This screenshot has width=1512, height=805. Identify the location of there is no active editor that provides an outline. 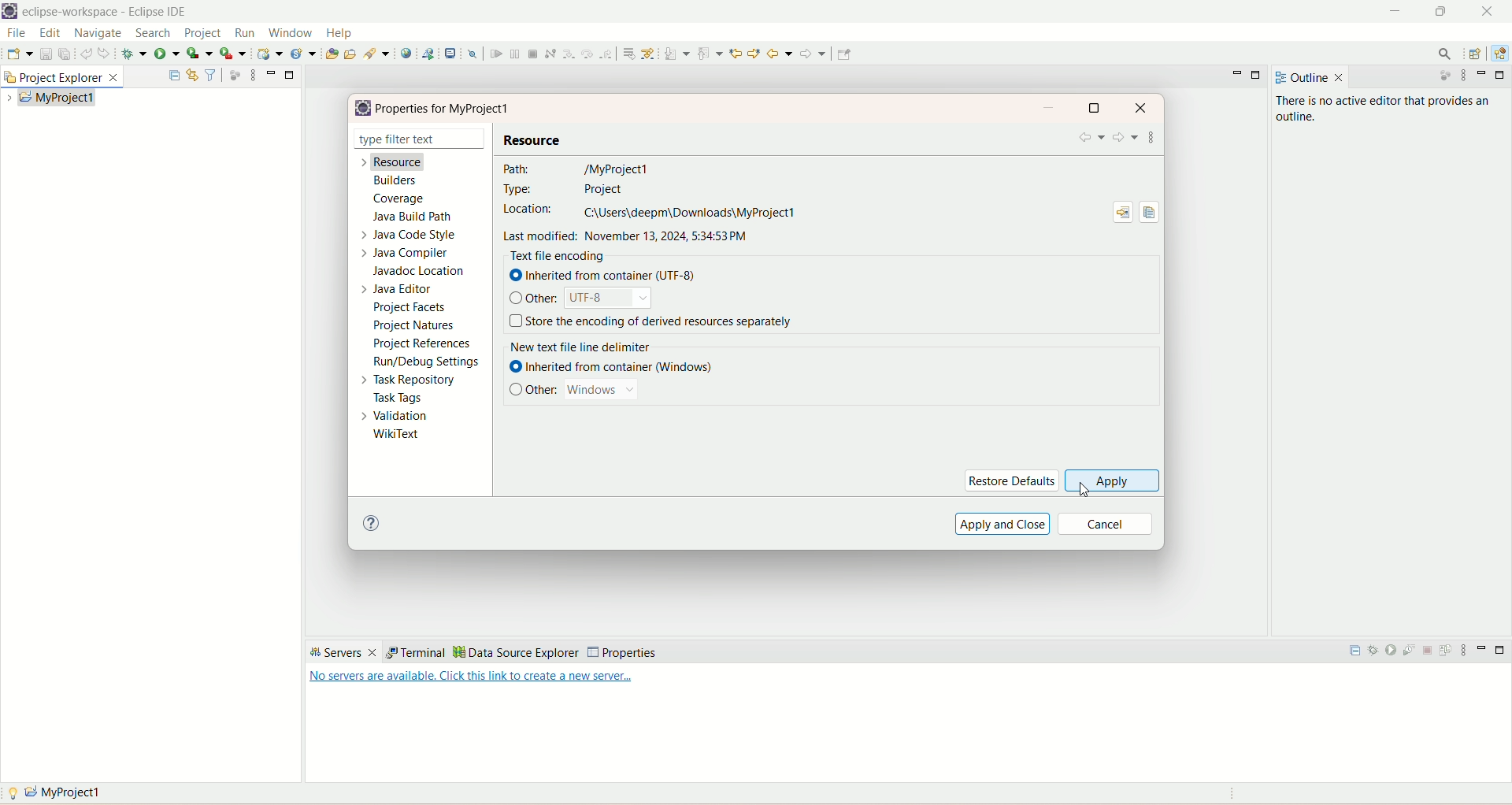
(1388, 109).